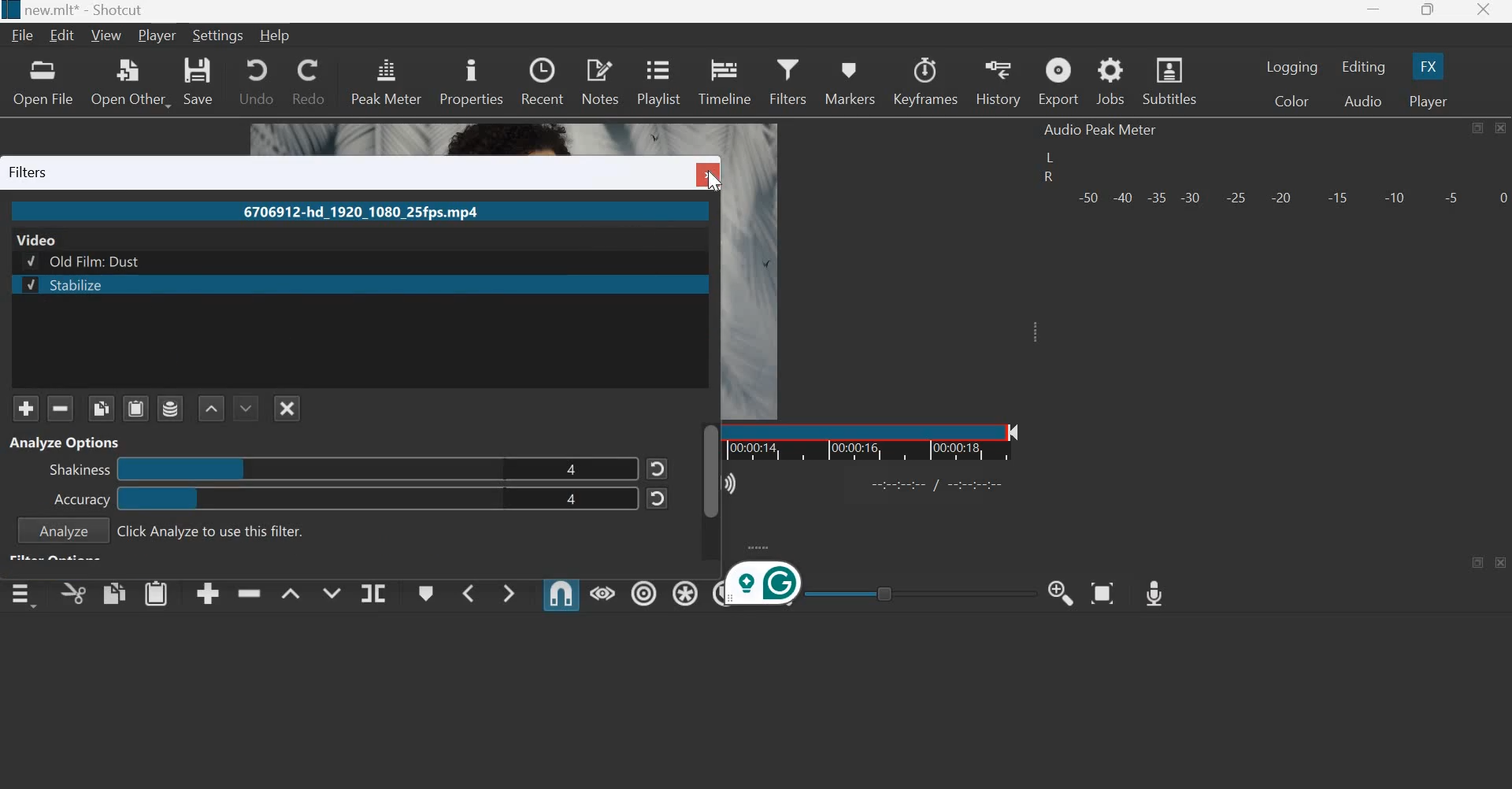 Image resolution: width=1512 pixels, height=789 pixels. Describe the element at coordinates (602, 592) in the screenshot. I see `Scrub while dragging` at that location.